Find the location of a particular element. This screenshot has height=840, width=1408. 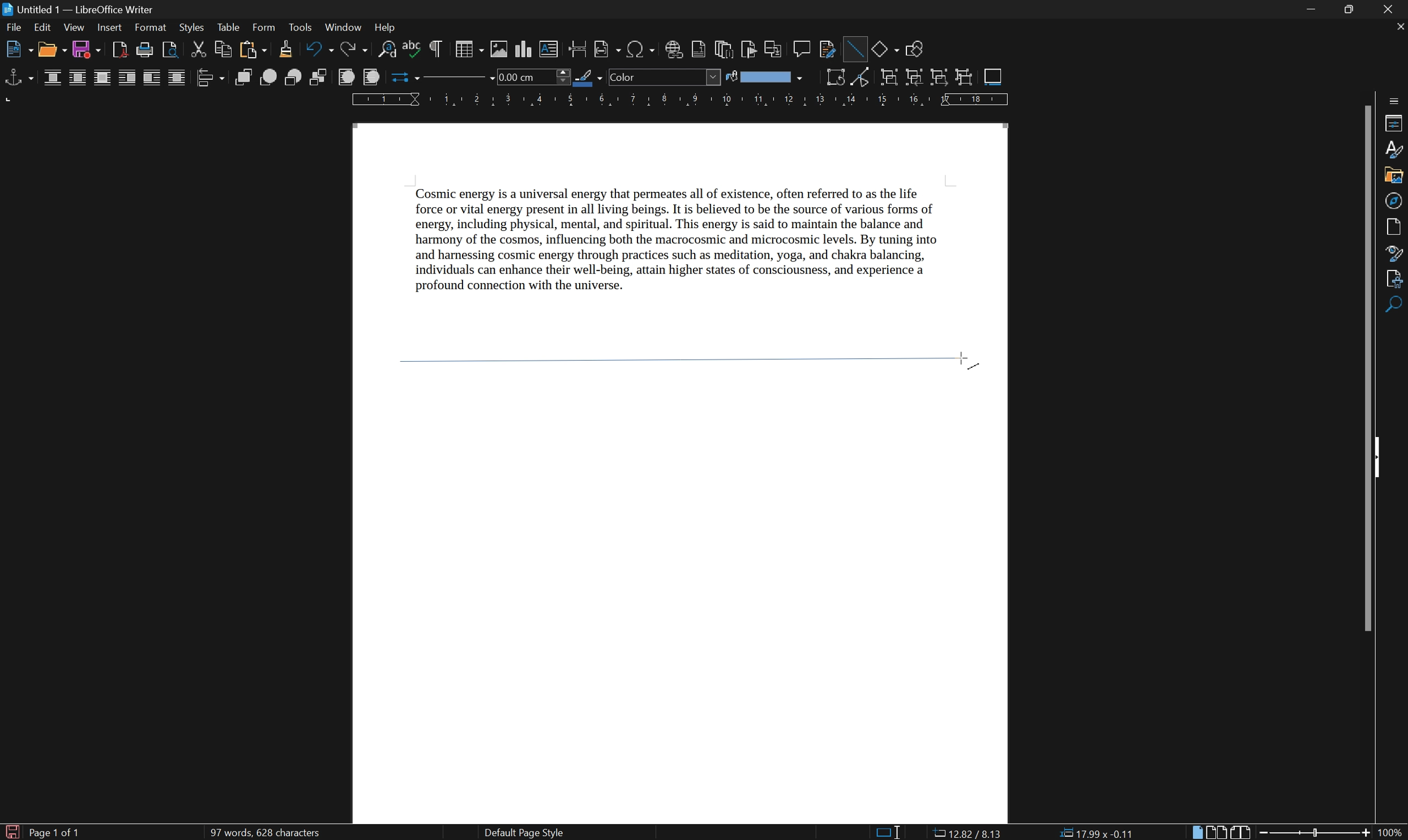

insert special characters is located at coordinates (641, 49).